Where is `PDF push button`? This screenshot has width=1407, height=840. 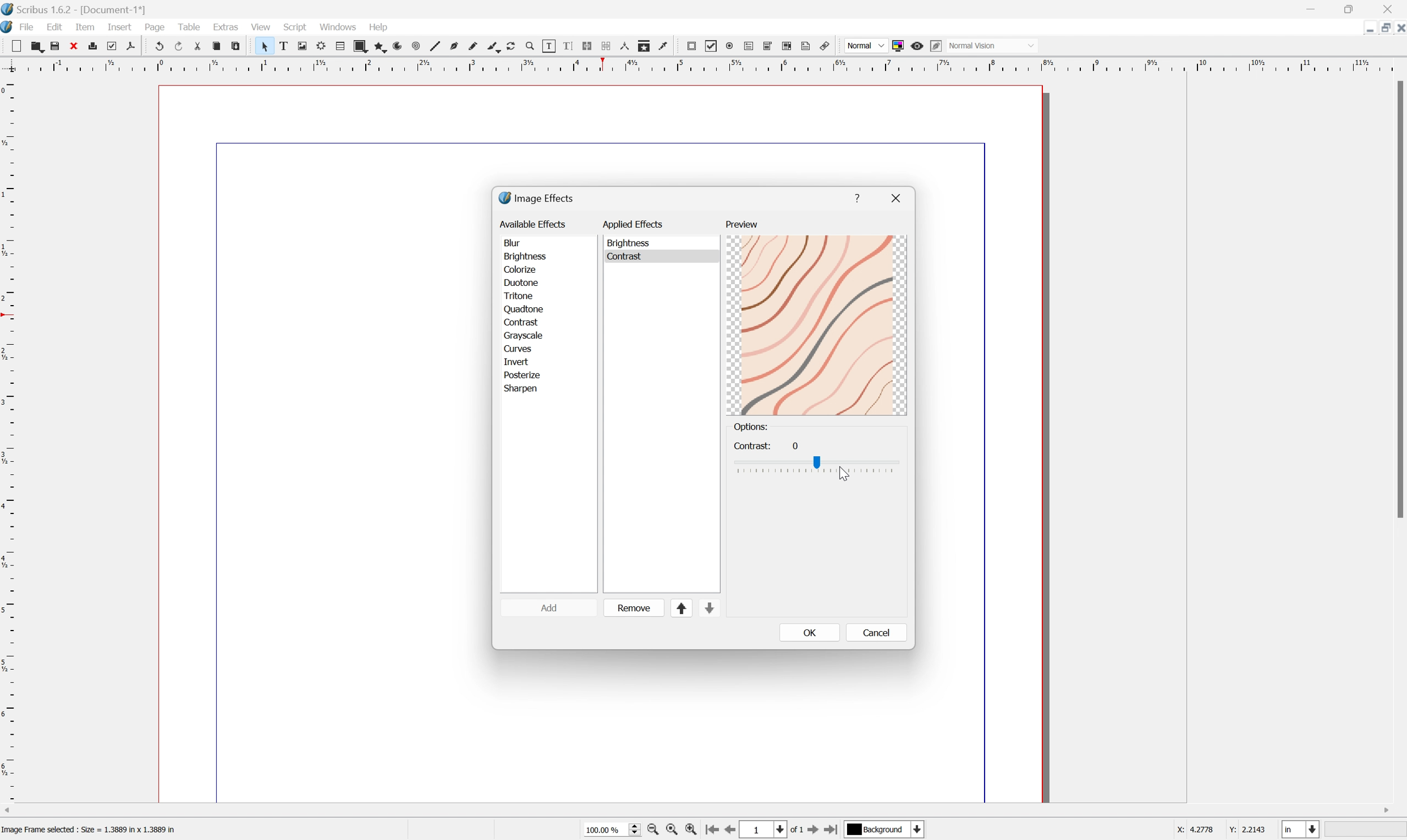 PDF push button is located at coordinates (693, 47).